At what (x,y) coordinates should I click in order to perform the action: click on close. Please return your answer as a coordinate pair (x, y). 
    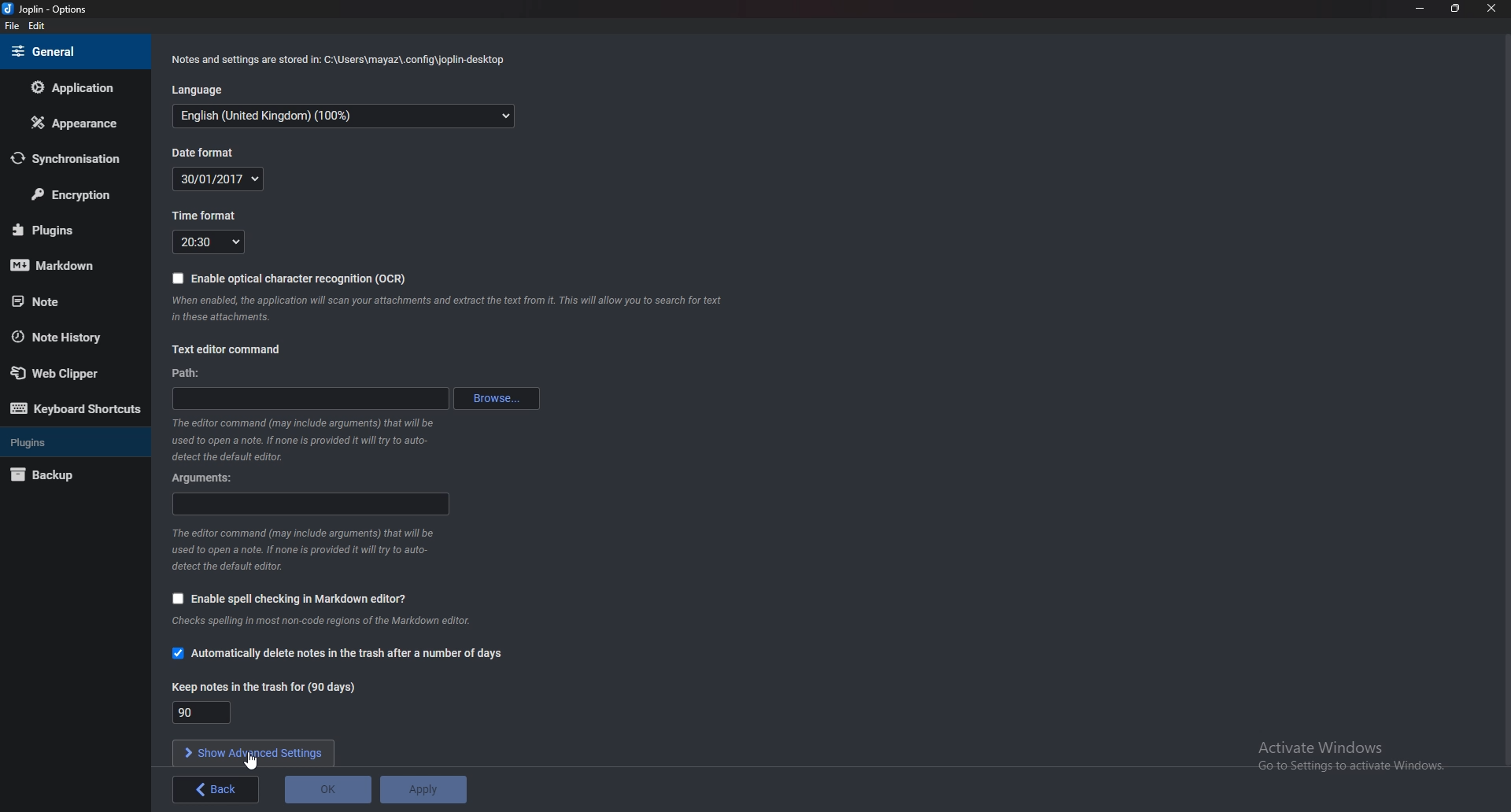
    Looking at the image, I should click on (1489, 8).